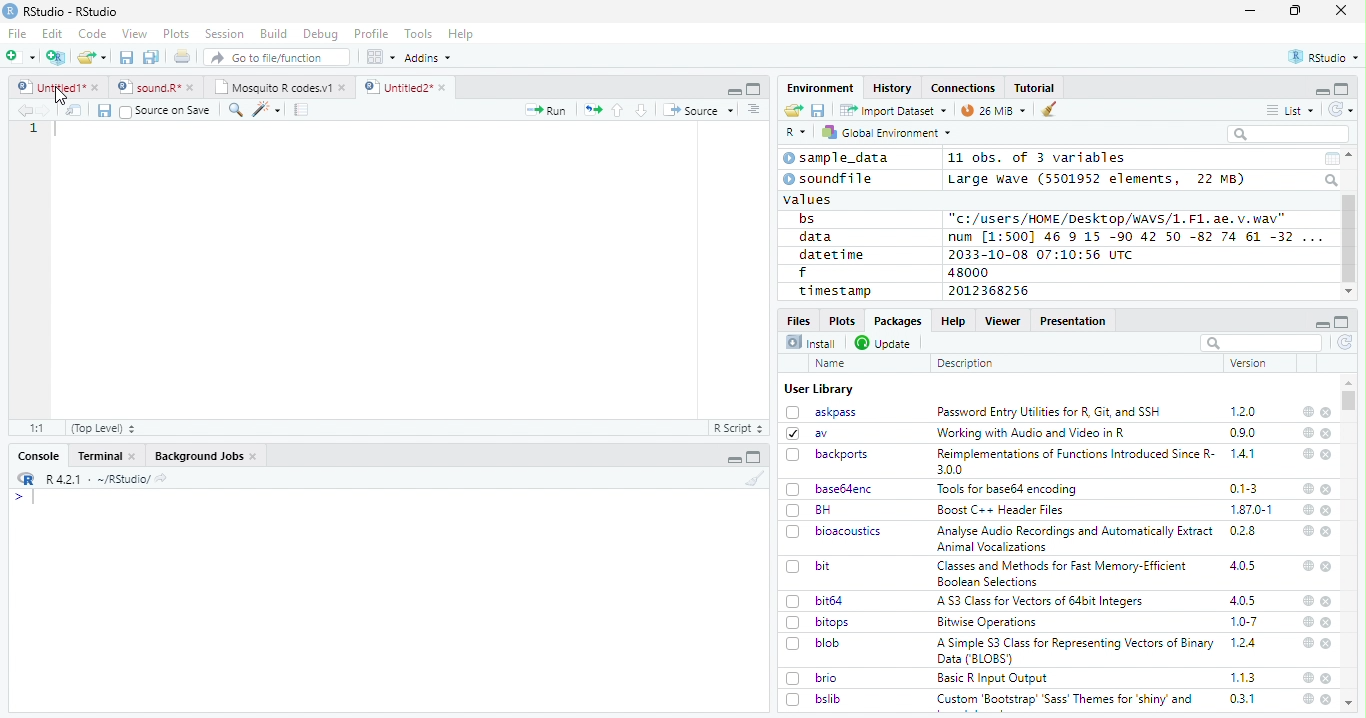 This screenshot has height=718, width=1366. Describe the element at coordinates (809, 198) in the screenshot. I see `values` at that location.